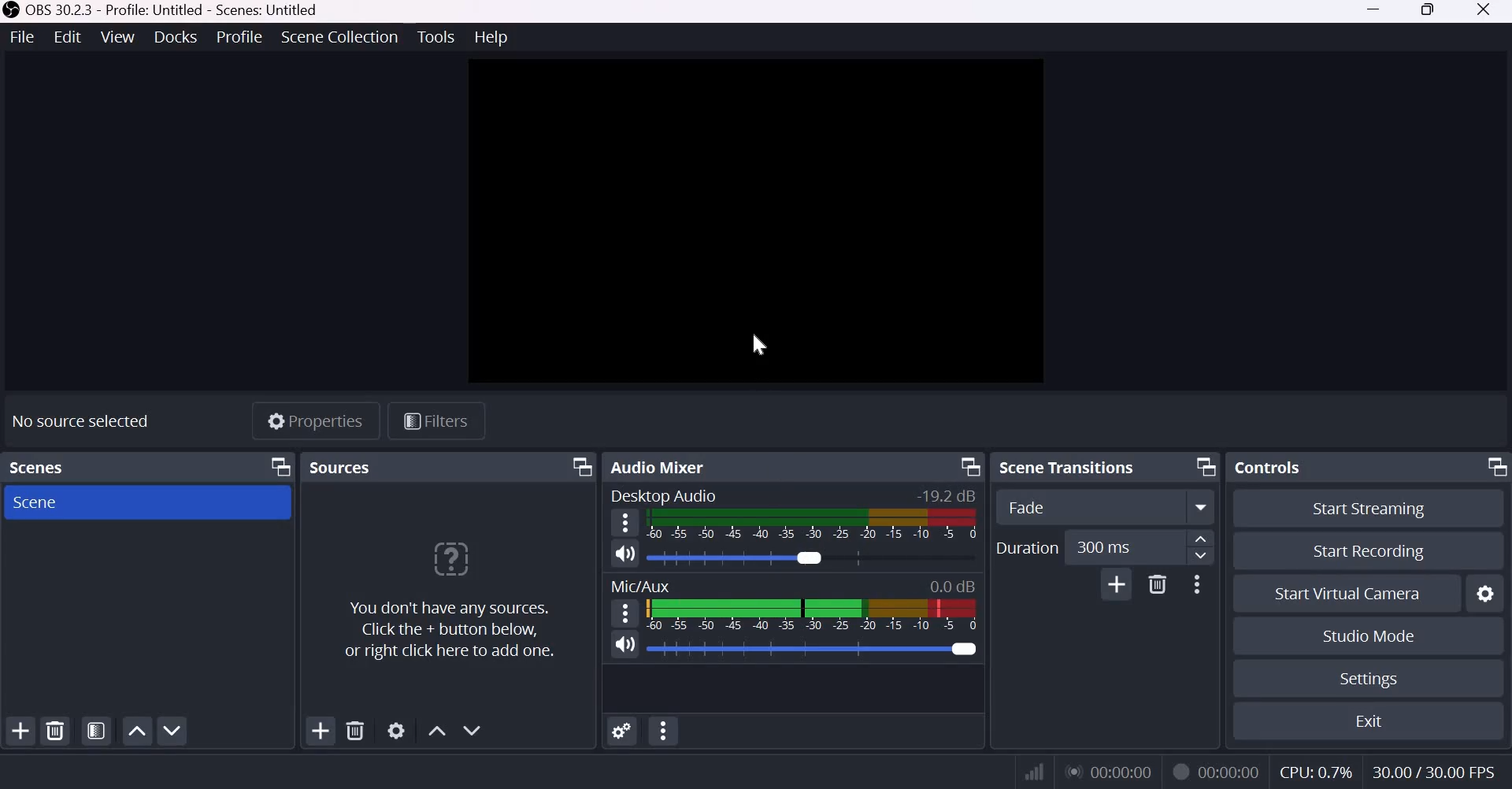 This screenshot has width=1512, height=789. What do you see at coordinates (945, 497) in the screenshot?
I see `-19.2dB` at bounding box center [945, 497].